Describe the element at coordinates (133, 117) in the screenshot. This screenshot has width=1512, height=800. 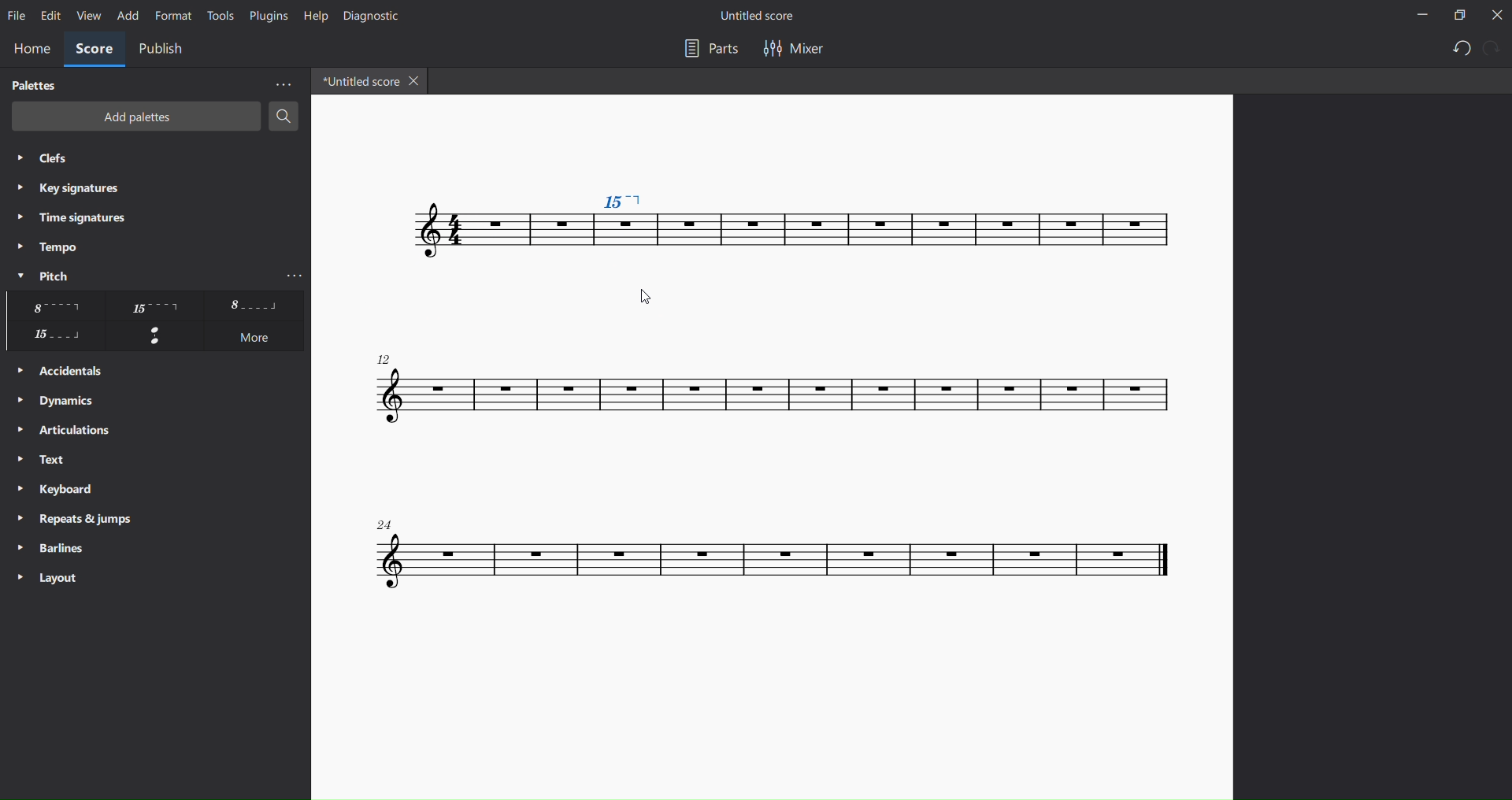
I see `add palettes` at that location.